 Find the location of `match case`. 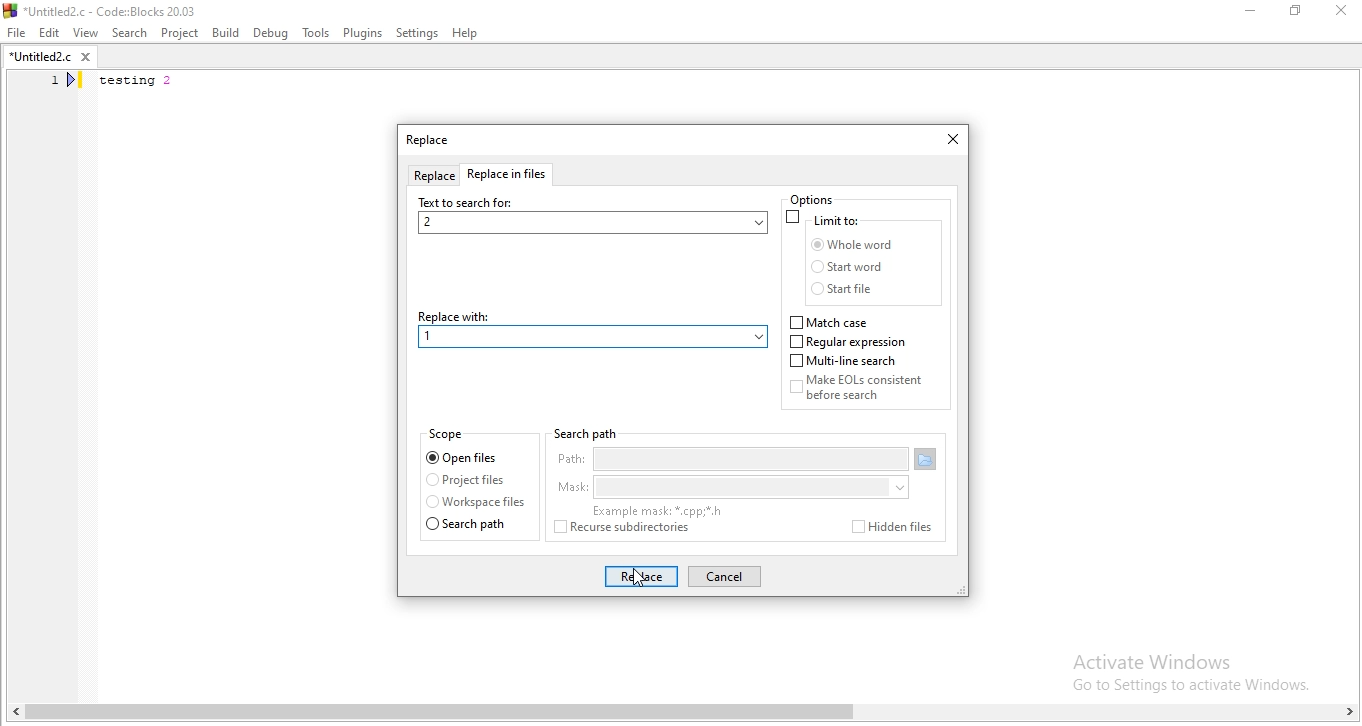

match case is located at coordinates (831, 322).